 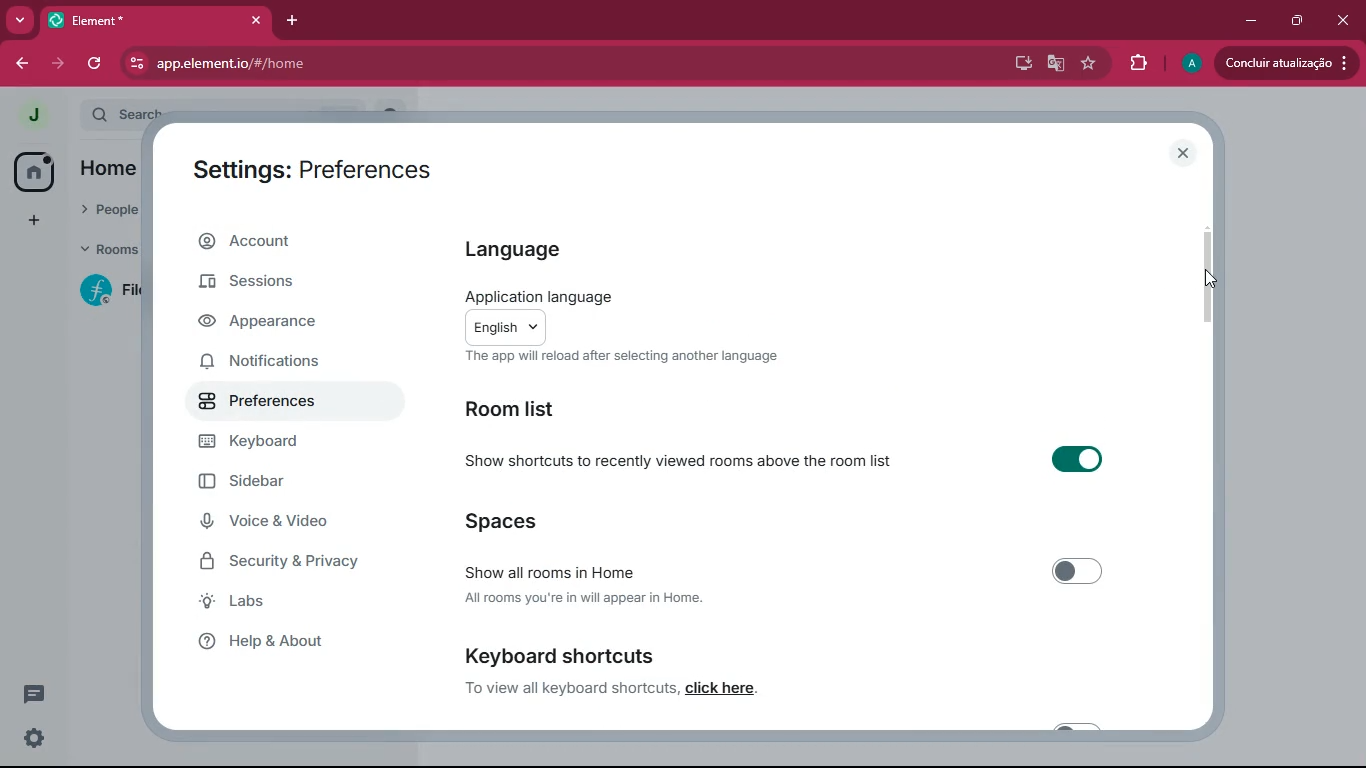 What do you see at coordinates (506, 326) in the screenshot?
I see `english` at bounding box center [506, 326].